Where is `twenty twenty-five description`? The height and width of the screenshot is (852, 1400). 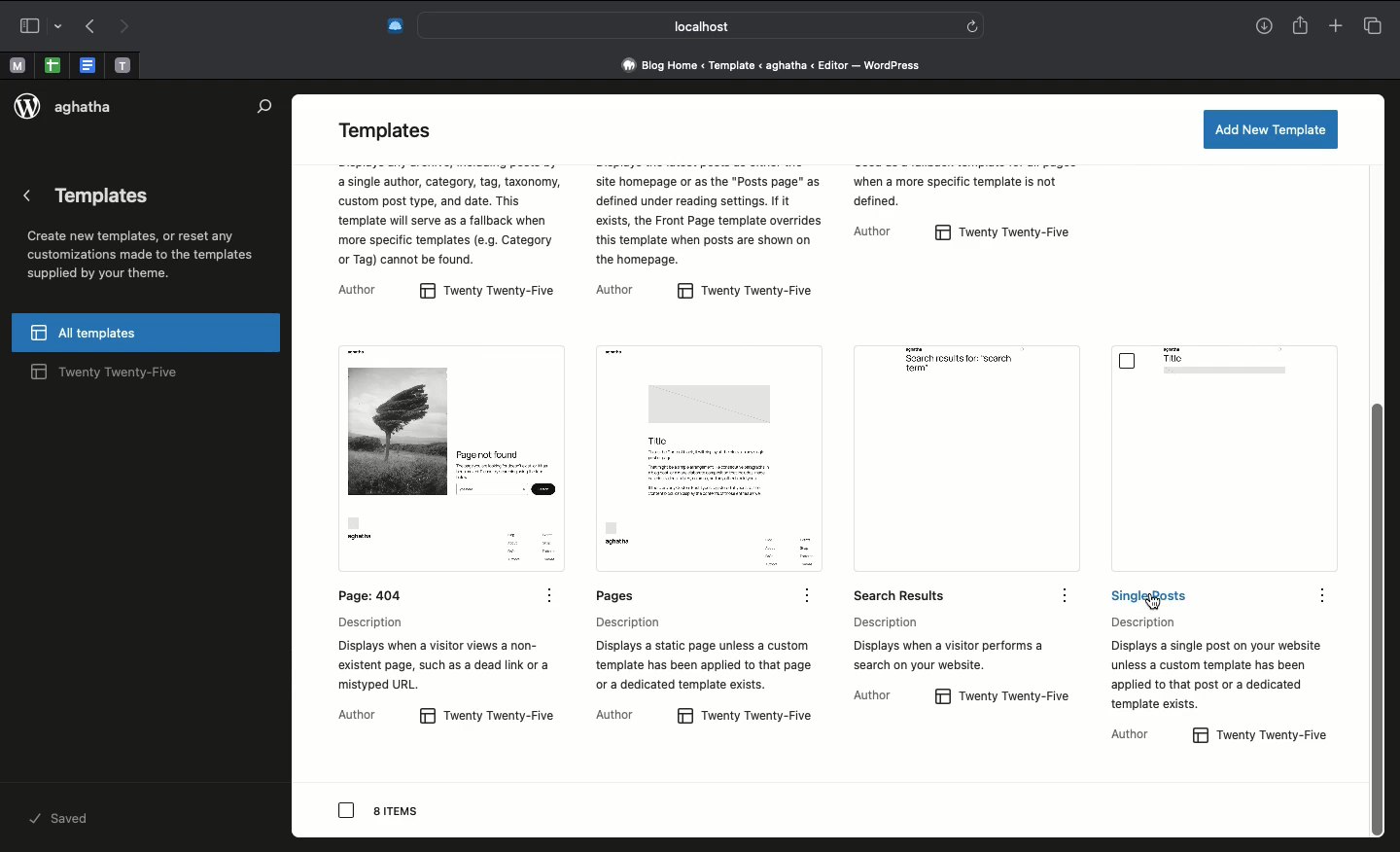
twenty twenty-five description is located at coordinates (707, 214).